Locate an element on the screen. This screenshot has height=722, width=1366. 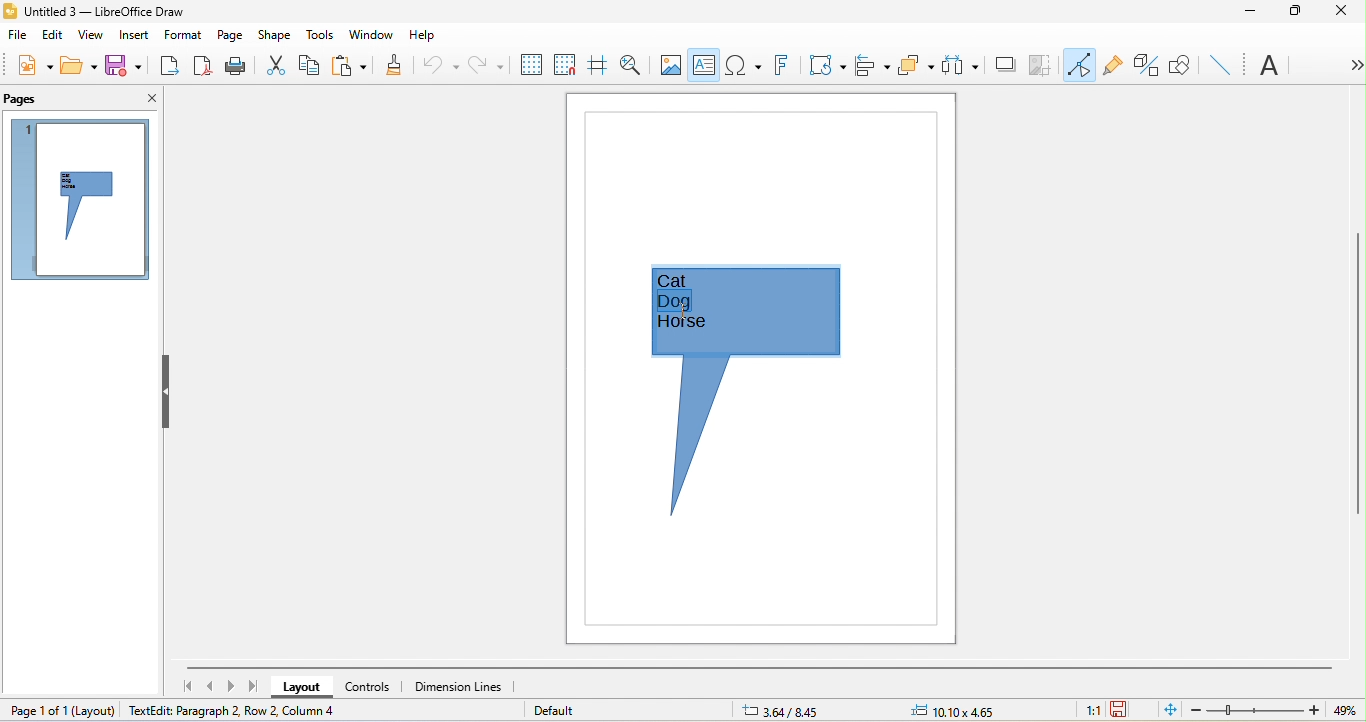
textedit paragraph 2, row 2, column 4 is located at coordinates (270, 712).